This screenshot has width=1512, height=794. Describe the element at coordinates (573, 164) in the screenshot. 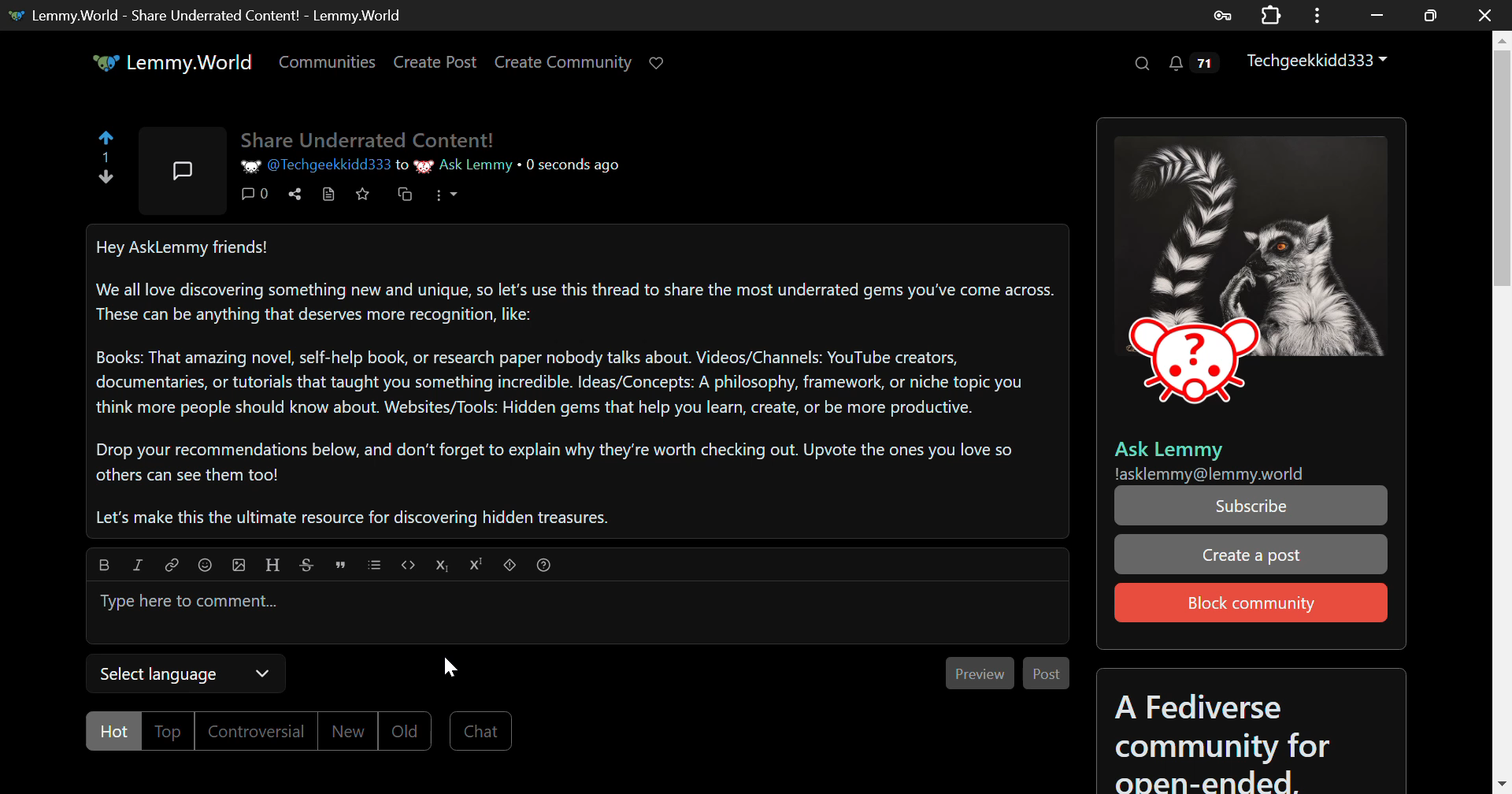

I see `0 seconds ago` at that location.